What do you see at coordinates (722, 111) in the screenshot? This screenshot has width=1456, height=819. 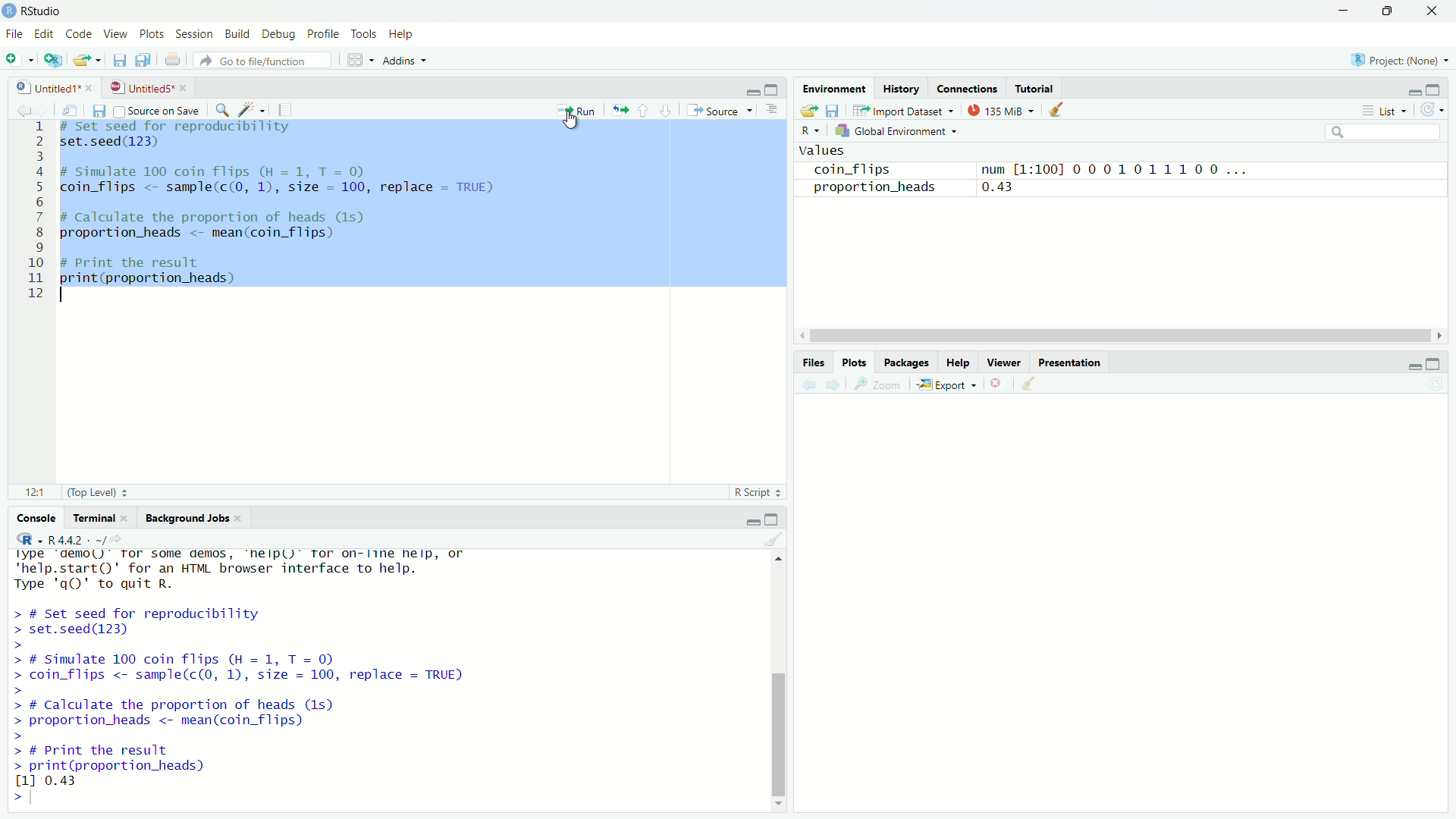 I see `source` at bounding box center [722, 111].